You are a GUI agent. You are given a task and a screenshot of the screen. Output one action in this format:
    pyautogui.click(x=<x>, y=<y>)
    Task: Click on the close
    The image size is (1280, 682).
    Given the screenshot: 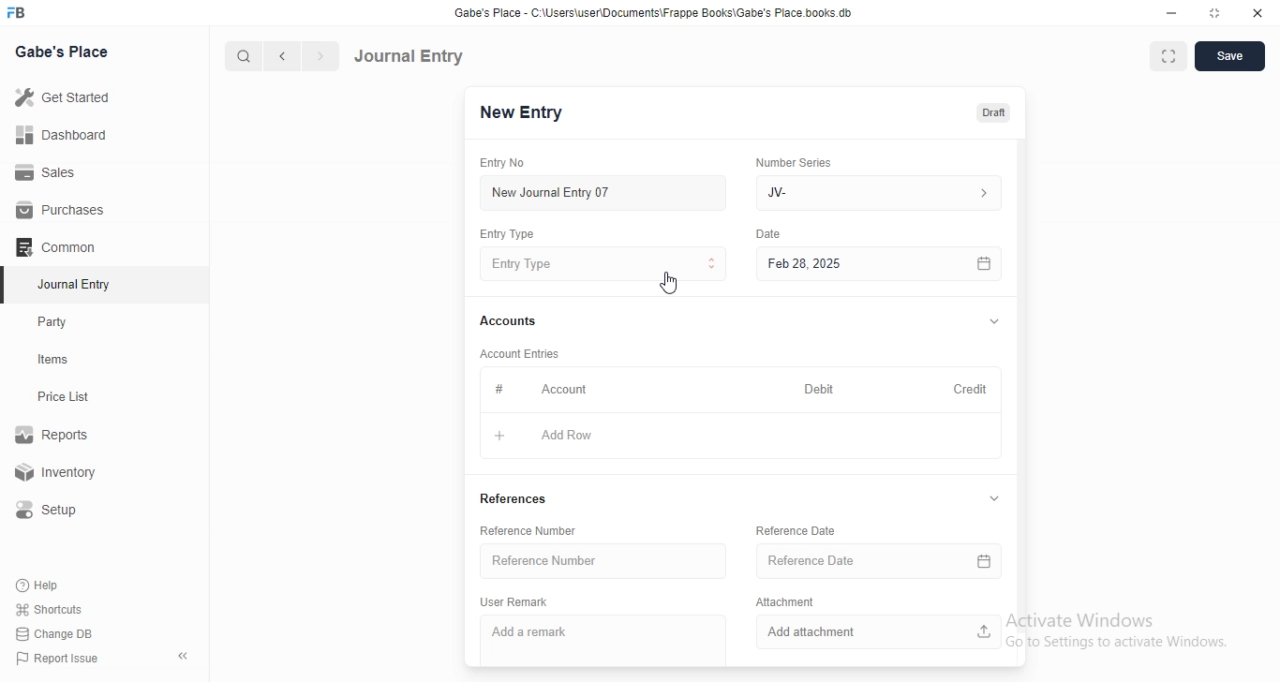 What is the action you would take?
    pyautogui.click(x=1258, y=12)
    